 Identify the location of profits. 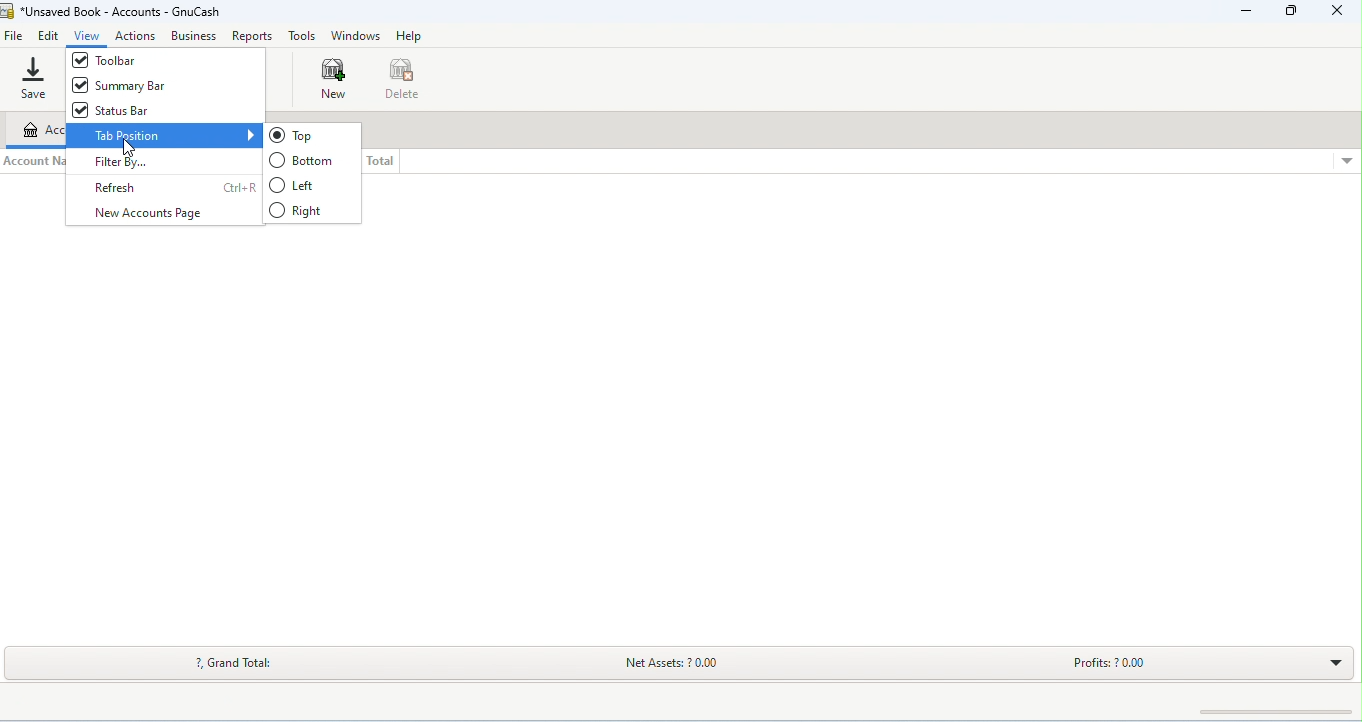
(1112, 664).